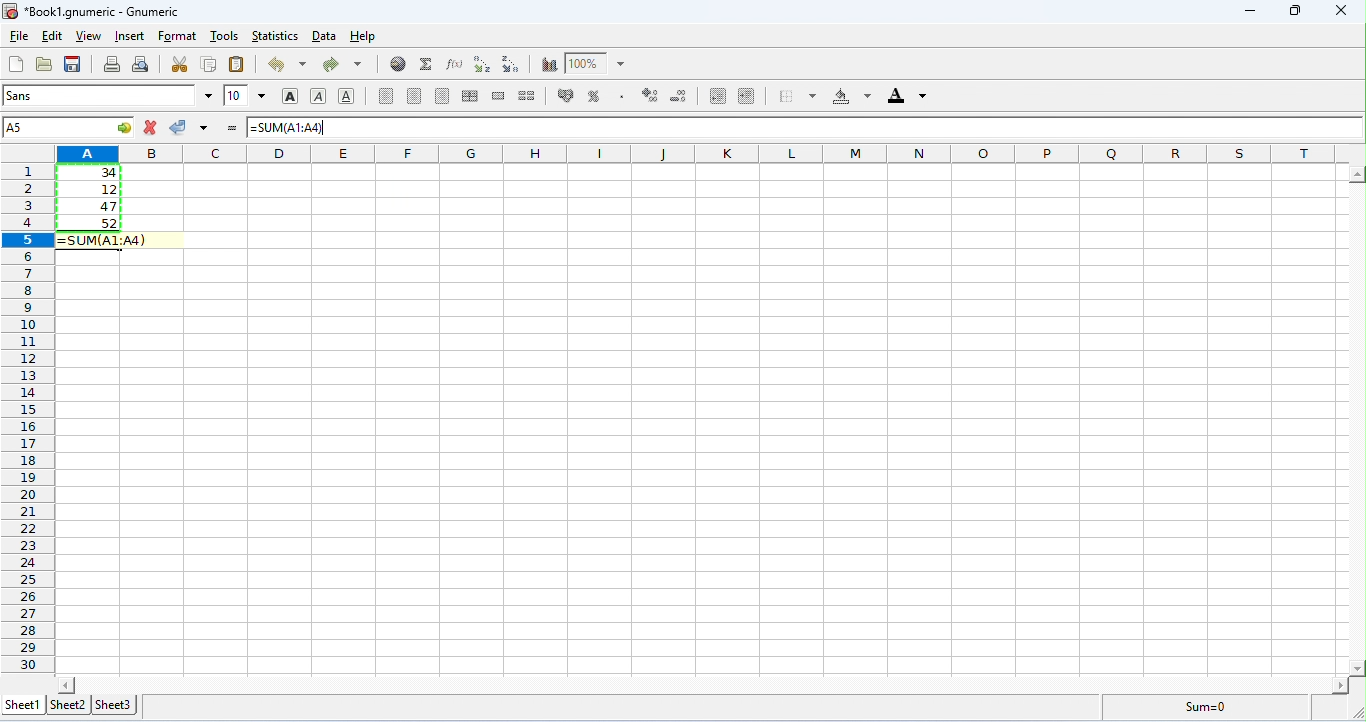  Describe the element at coordinates (1358, 420) in the screenshot. I see `space for vertical scroll bar` at that location.